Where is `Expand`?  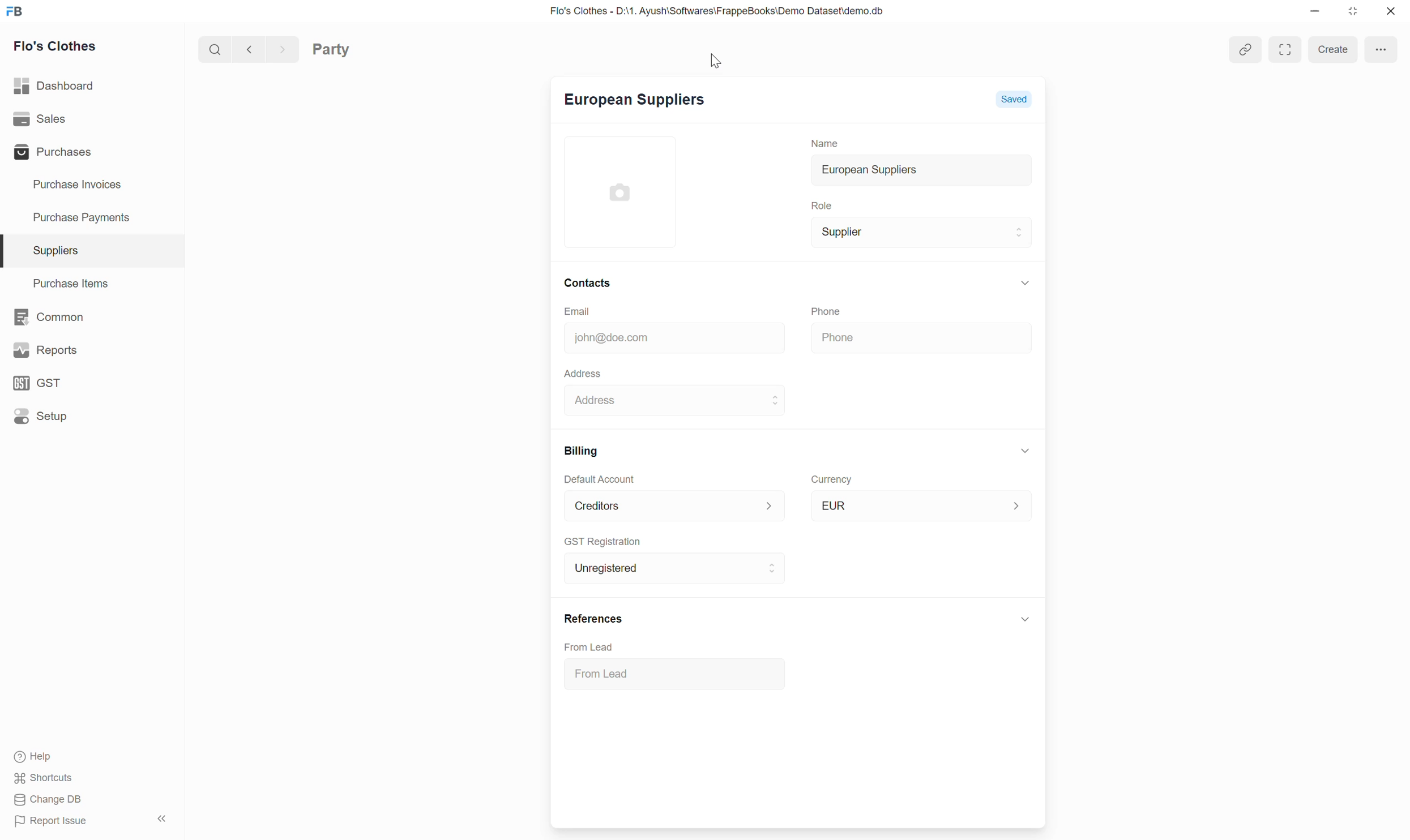 Expand is located at coordinates (1284, 50).